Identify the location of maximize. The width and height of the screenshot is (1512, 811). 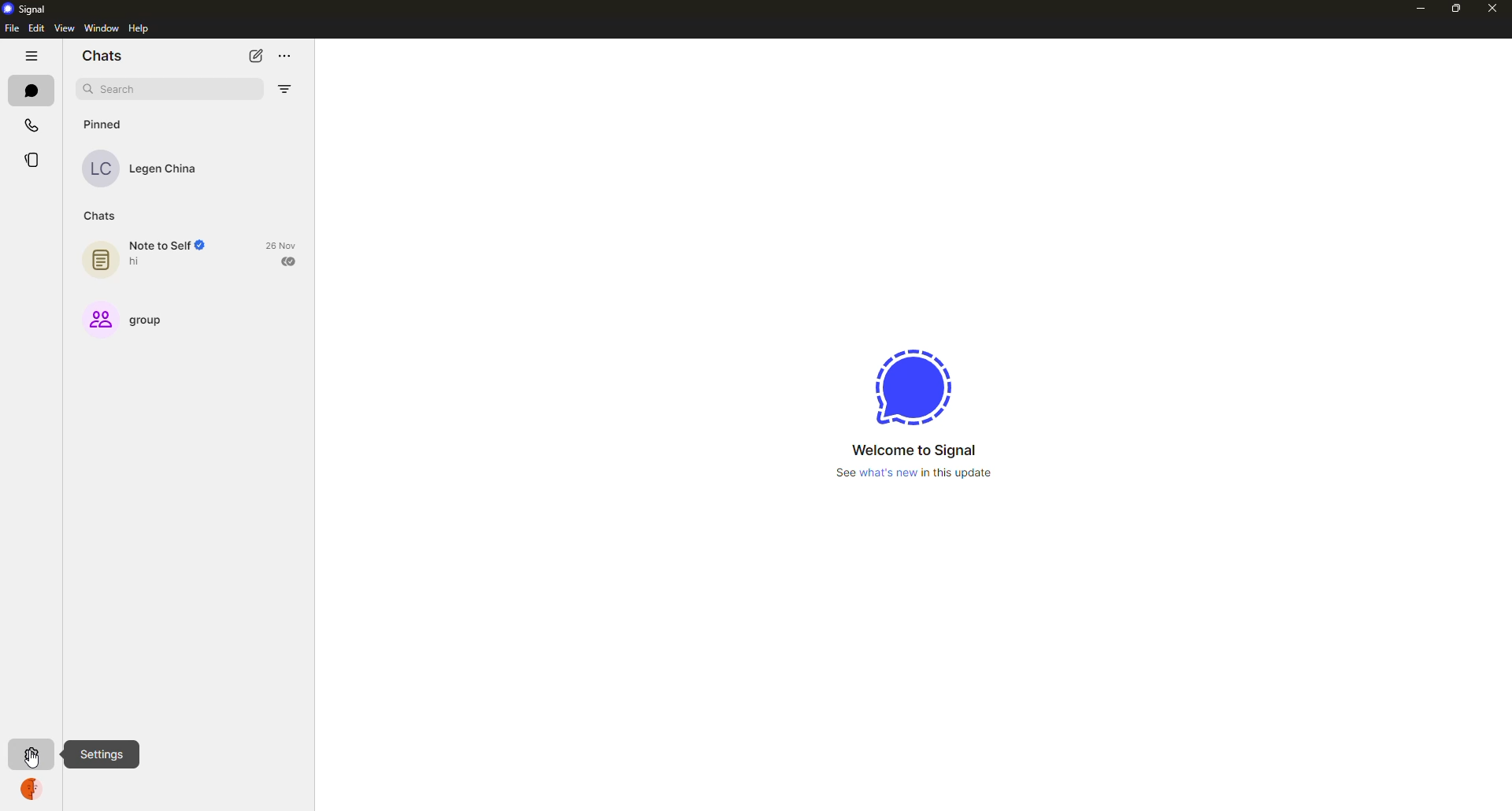
(1451, 9).